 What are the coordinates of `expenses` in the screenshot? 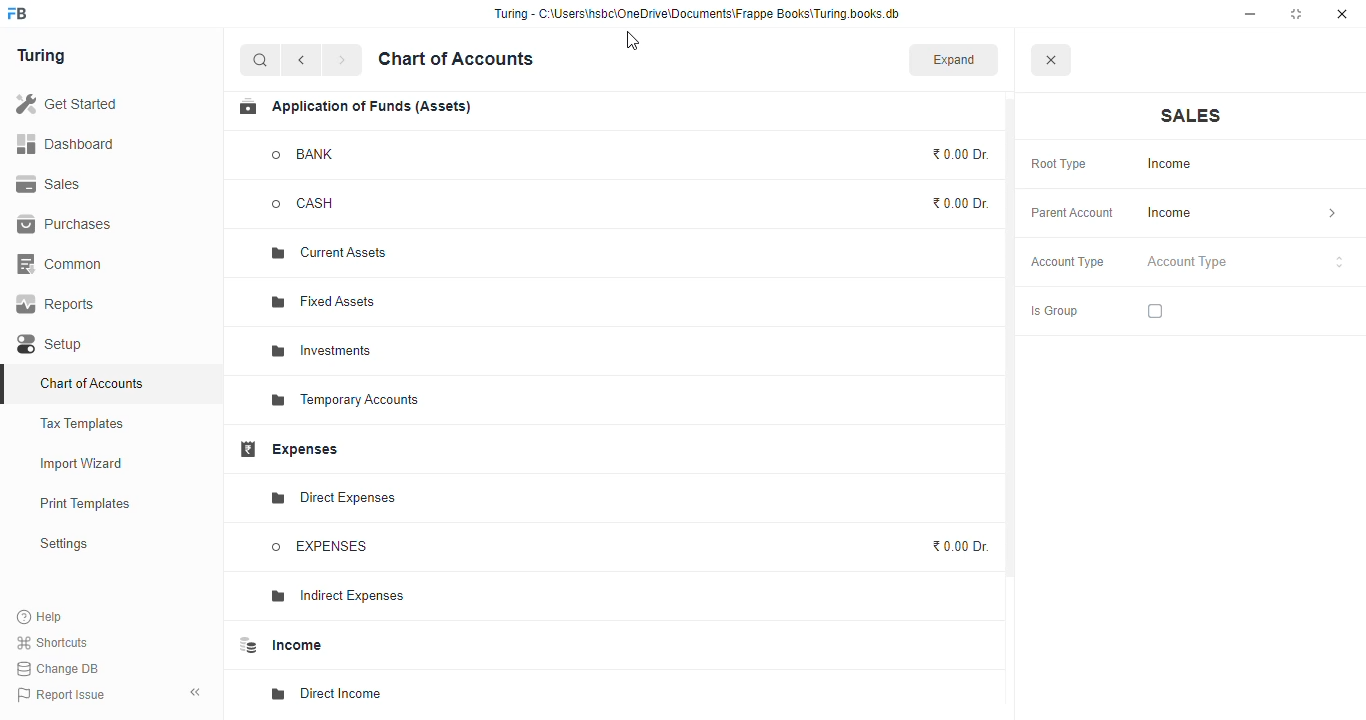 It's located at (288, 449).